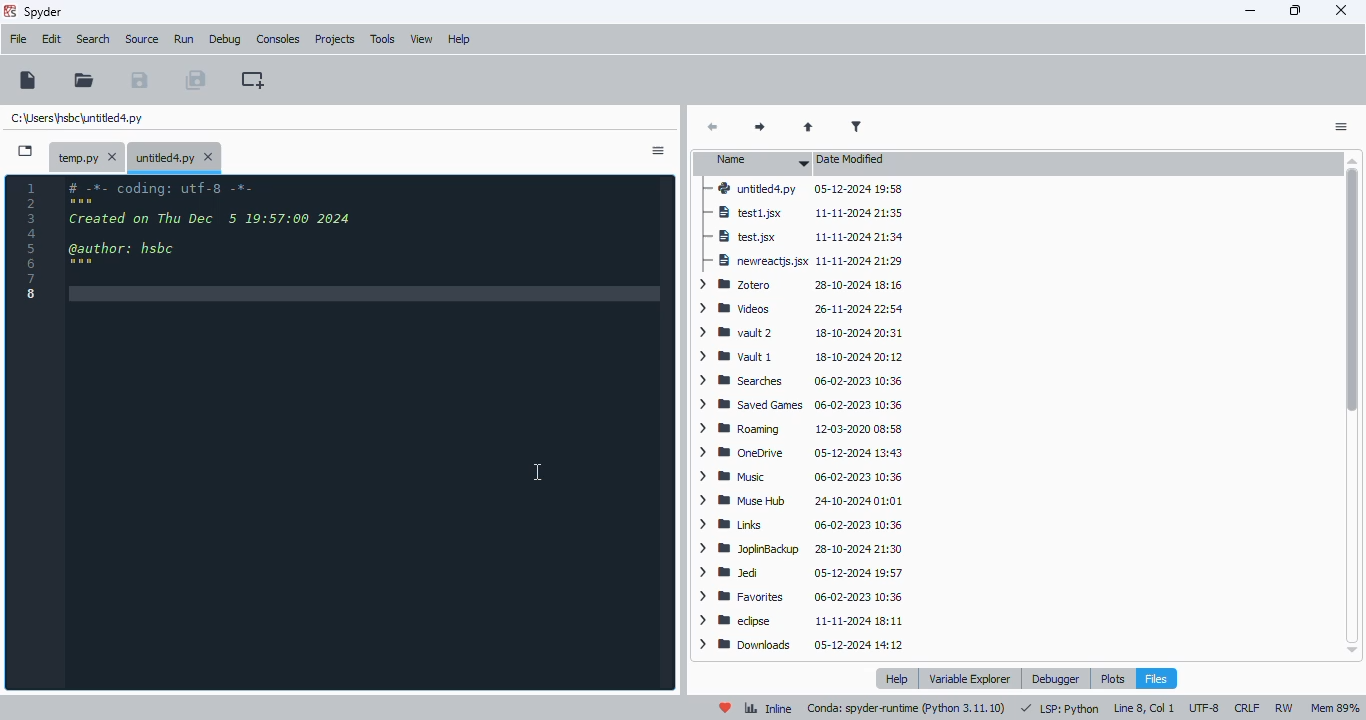 Image resolution: width=1366 pixels, height=720 pixels. Describe the element at coordinates (177, 157) in the screenshot. I see `untitled4.py` at that location.